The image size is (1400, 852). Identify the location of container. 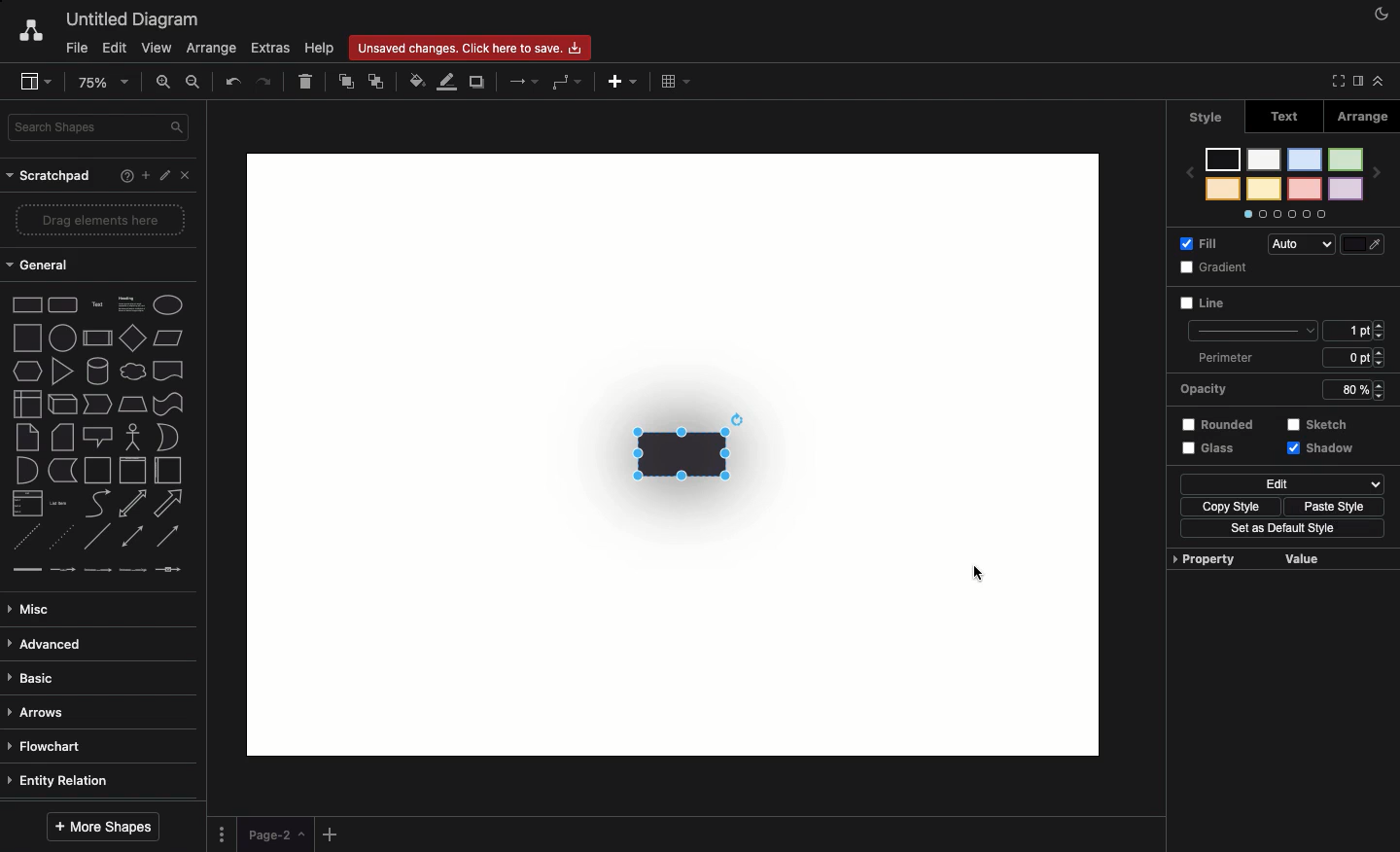
(97, 469).